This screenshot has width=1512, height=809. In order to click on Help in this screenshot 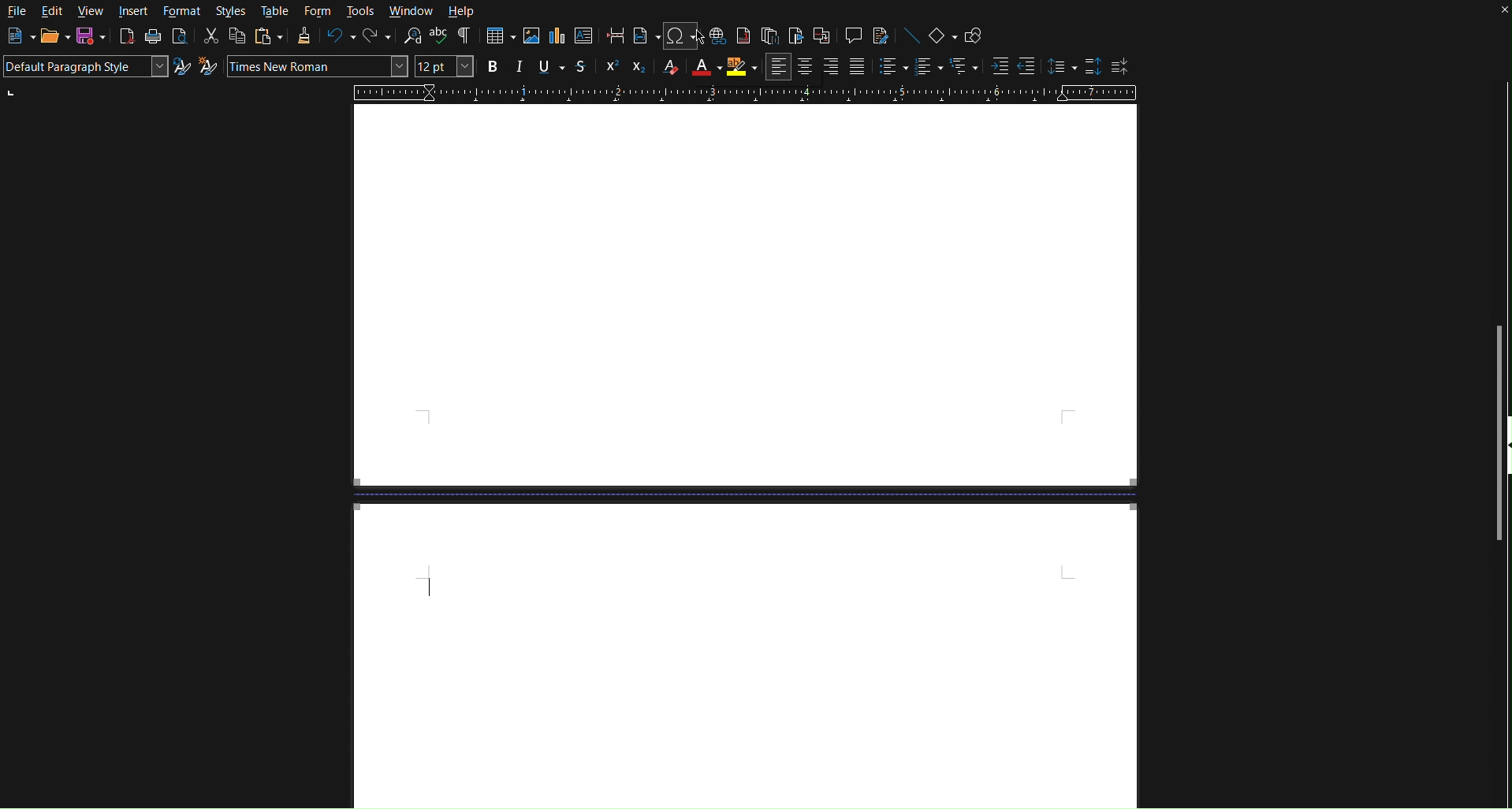, I will do `click(462, 10)`.